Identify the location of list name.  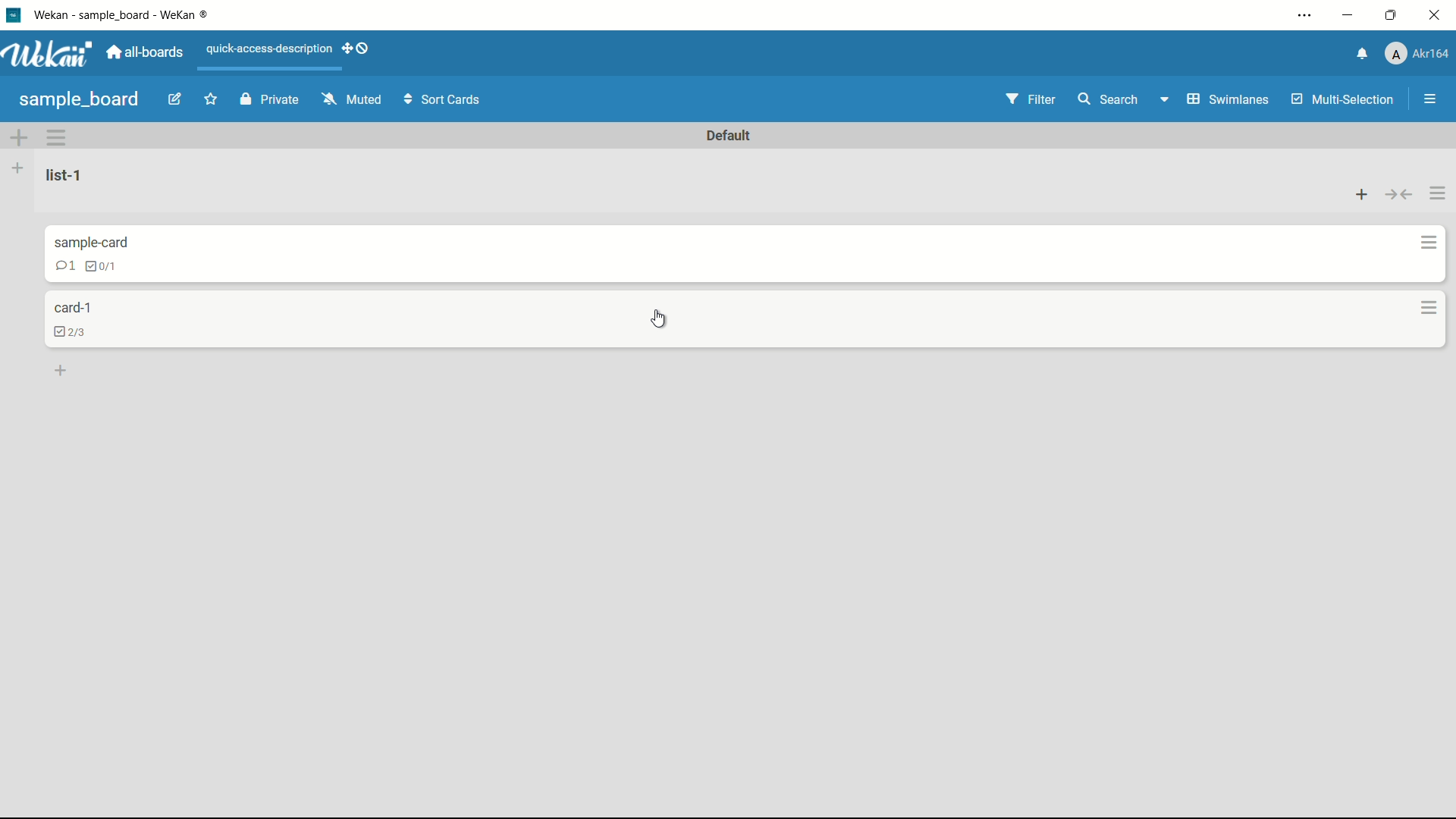
(69, 175).